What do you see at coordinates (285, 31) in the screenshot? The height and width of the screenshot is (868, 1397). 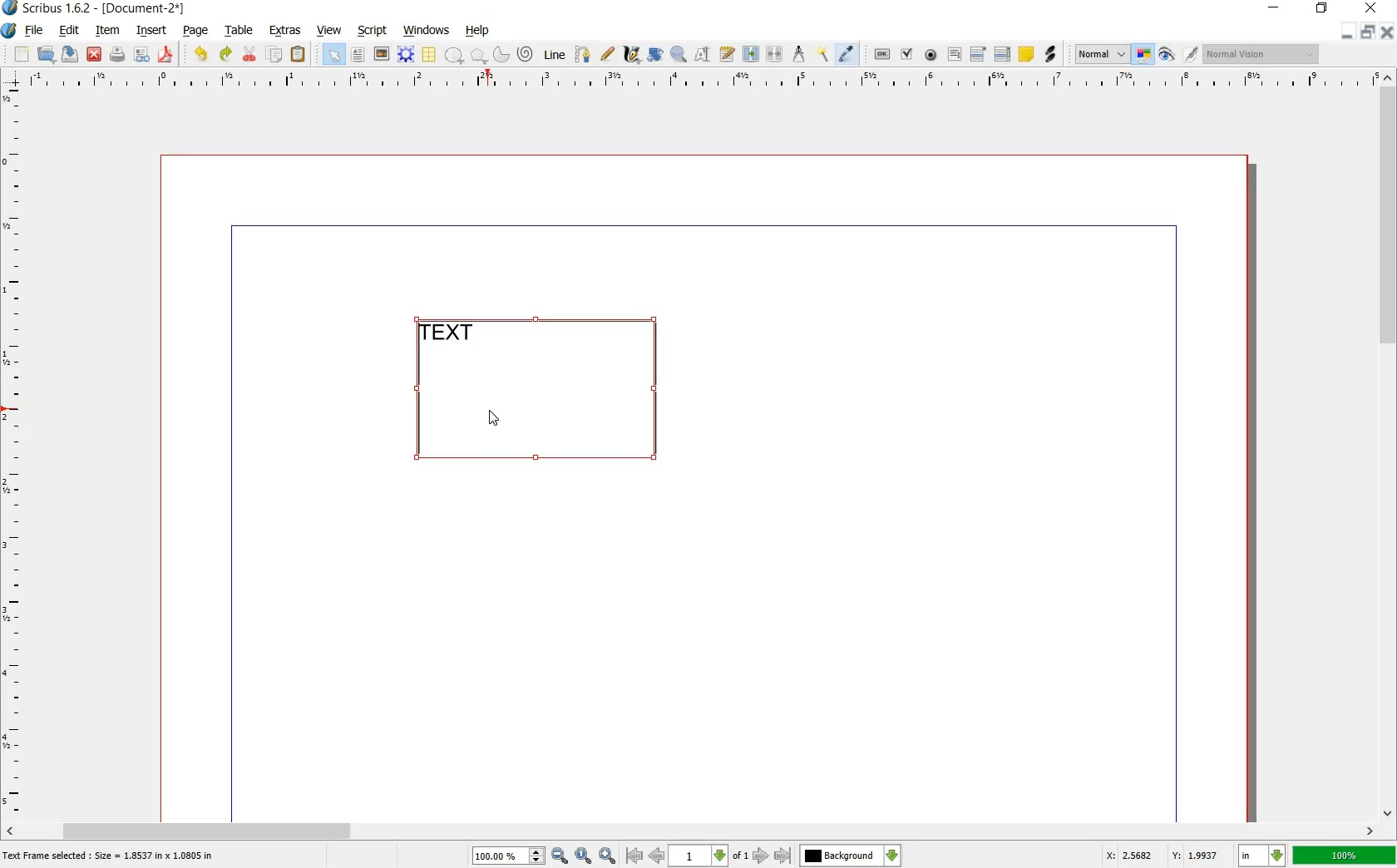 I see `extras` at bounding box center [285, 31].